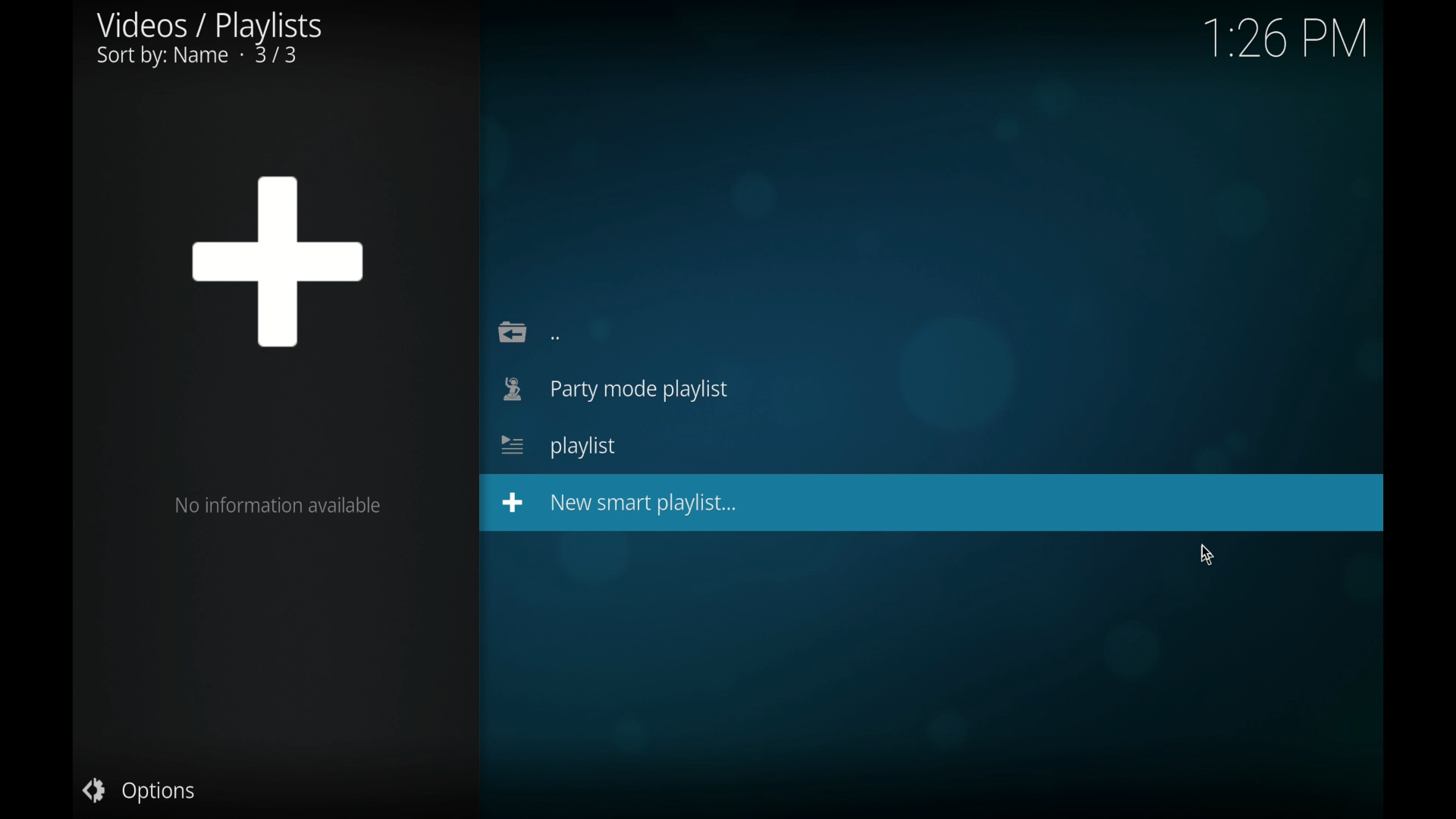  What do you see at coordinates (278, 506) in the screenshot?
I see `no information available` at bounding box center [278, 506].